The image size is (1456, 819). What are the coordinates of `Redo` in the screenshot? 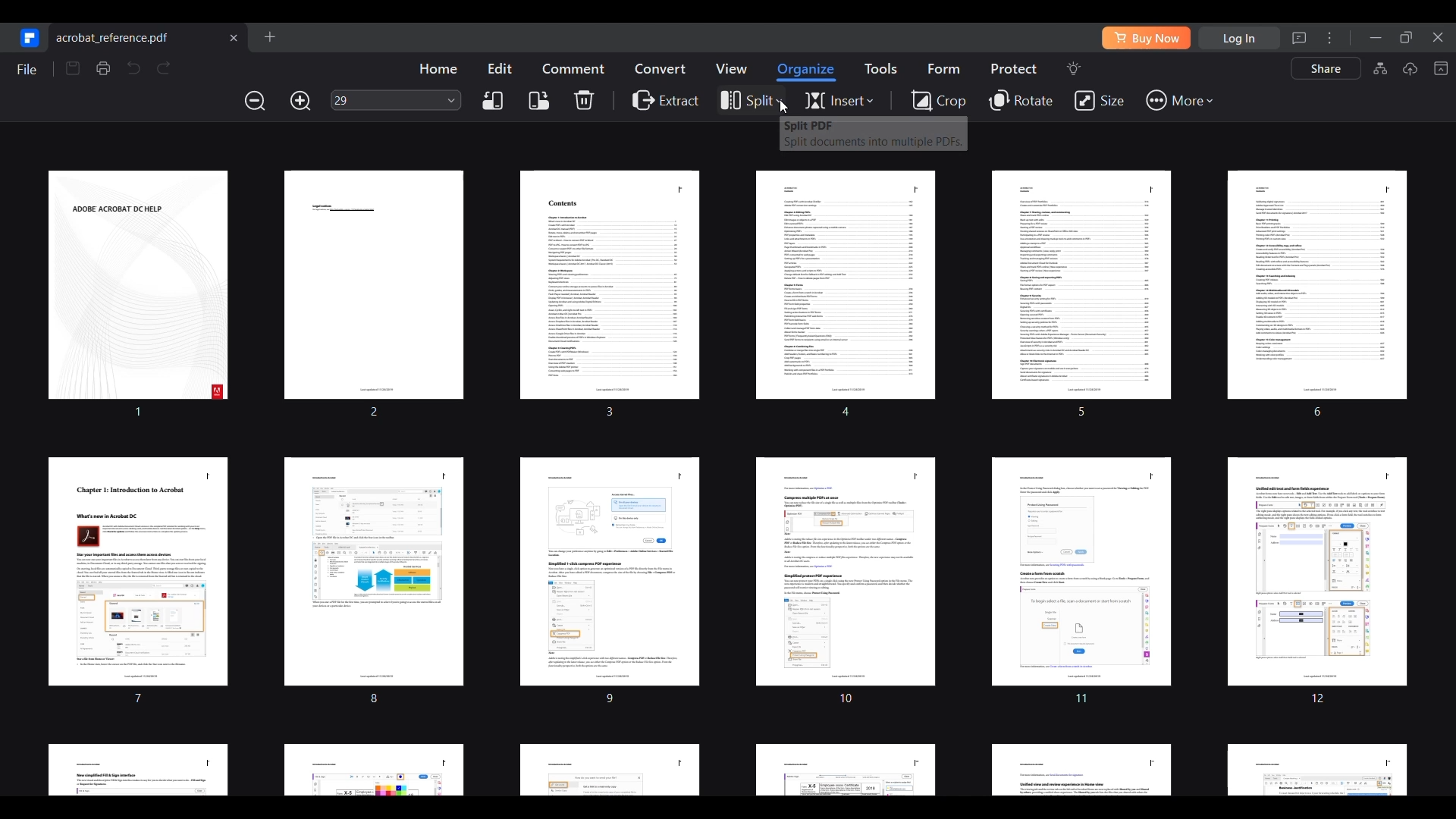 It's located at (164, 68).